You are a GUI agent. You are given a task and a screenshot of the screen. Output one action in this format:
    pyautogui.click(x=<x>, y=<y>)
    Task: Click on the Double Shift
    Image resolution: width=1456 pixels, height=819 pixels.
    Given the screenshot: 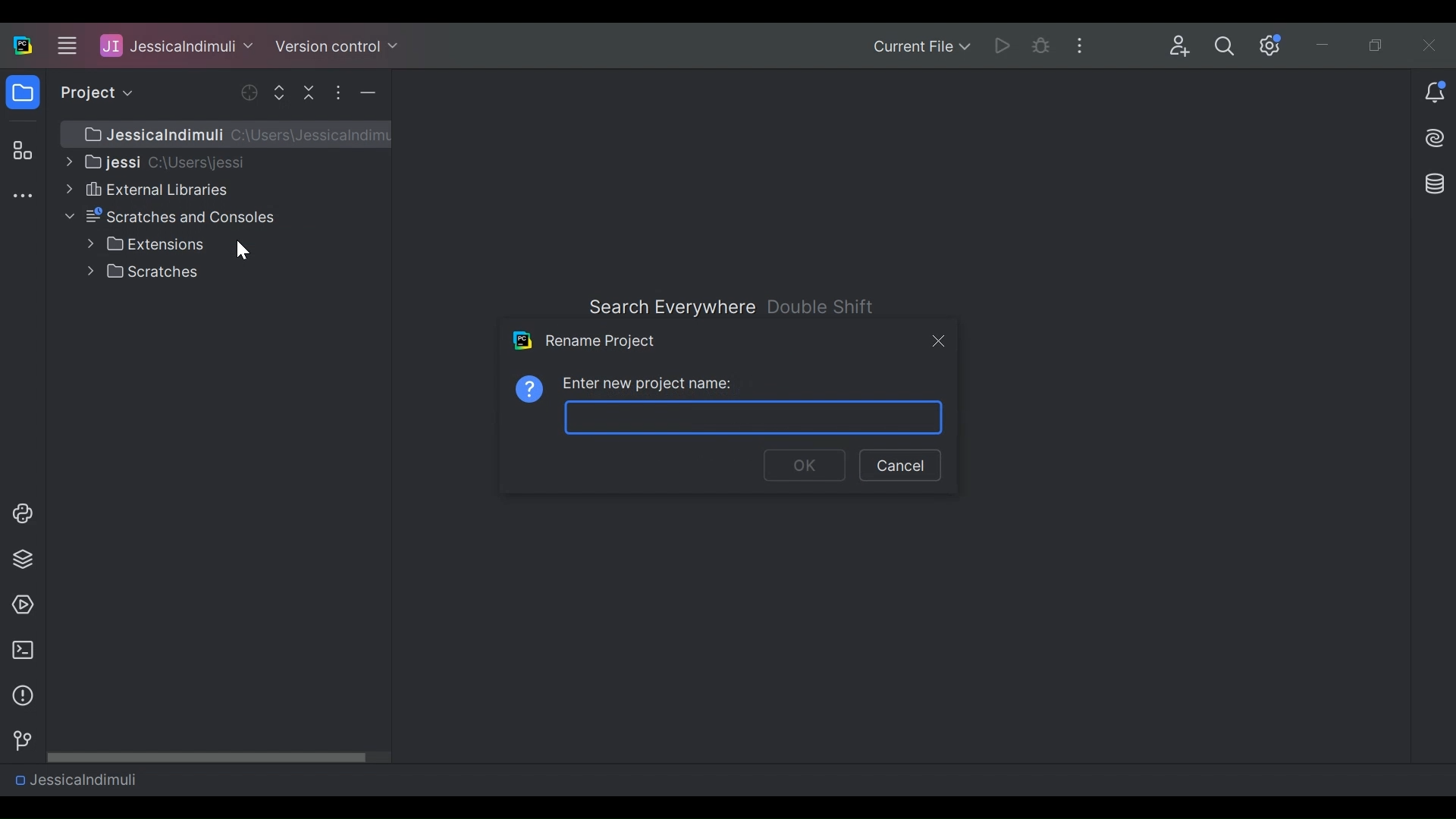 What is the action you would take?
    pyautogui.click(x=822, y=306)
    